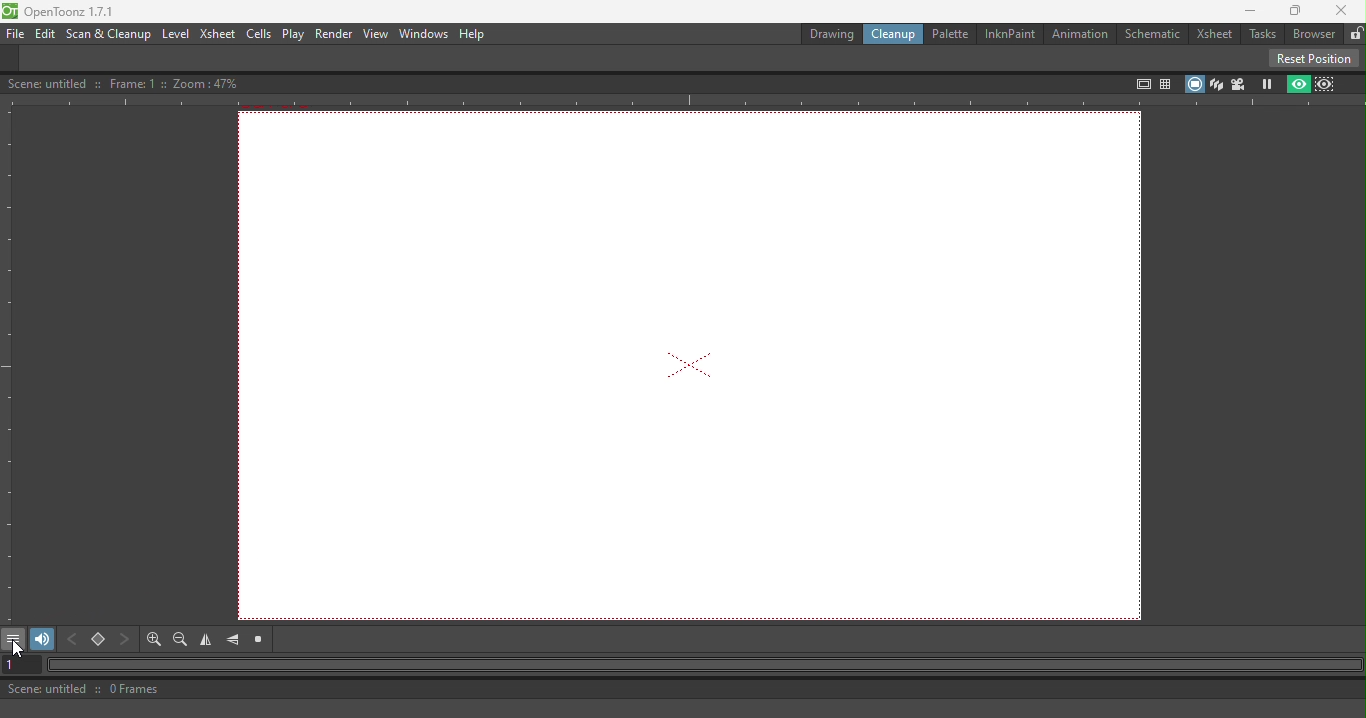 This screenshot has width=1366, height=718. What do you see at coordinates (9, 364) in the screenshot?
I see `Vertical ruler` at bounding box center [9, 364].